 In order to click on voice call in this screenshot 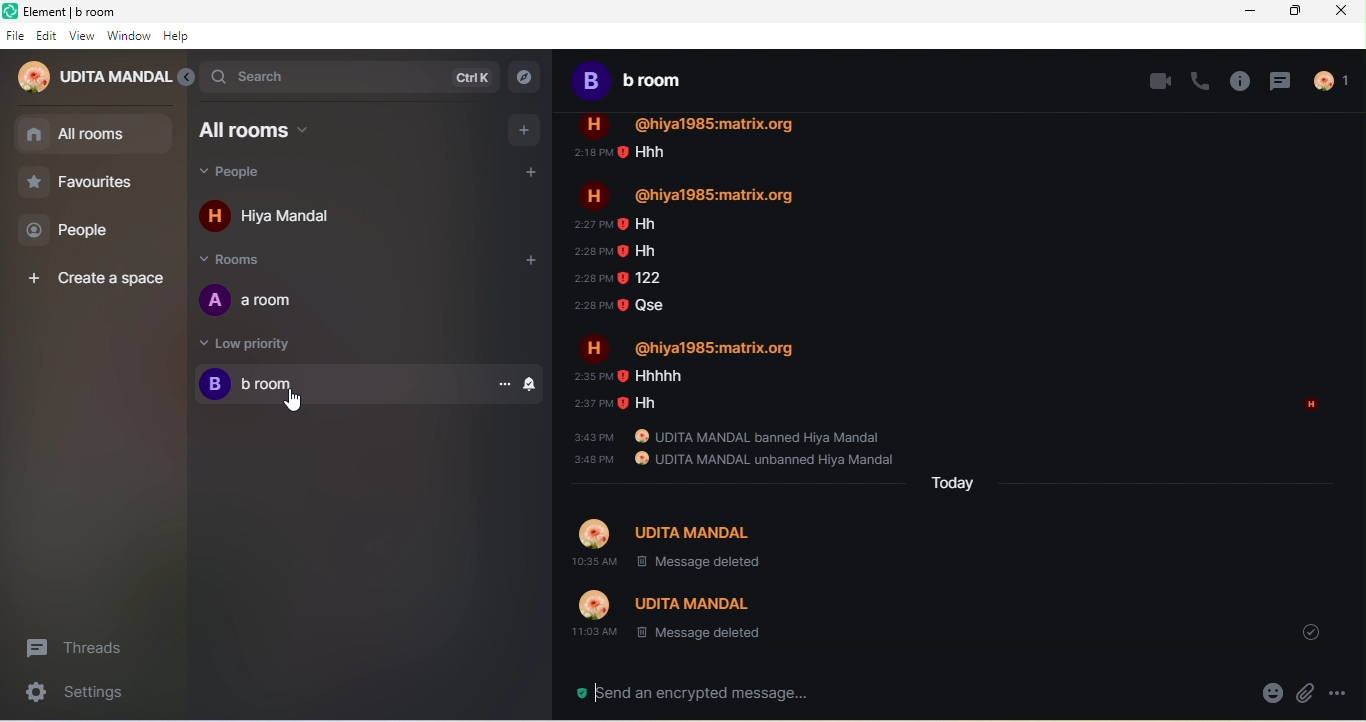, I will do `click(1201, 80)`.